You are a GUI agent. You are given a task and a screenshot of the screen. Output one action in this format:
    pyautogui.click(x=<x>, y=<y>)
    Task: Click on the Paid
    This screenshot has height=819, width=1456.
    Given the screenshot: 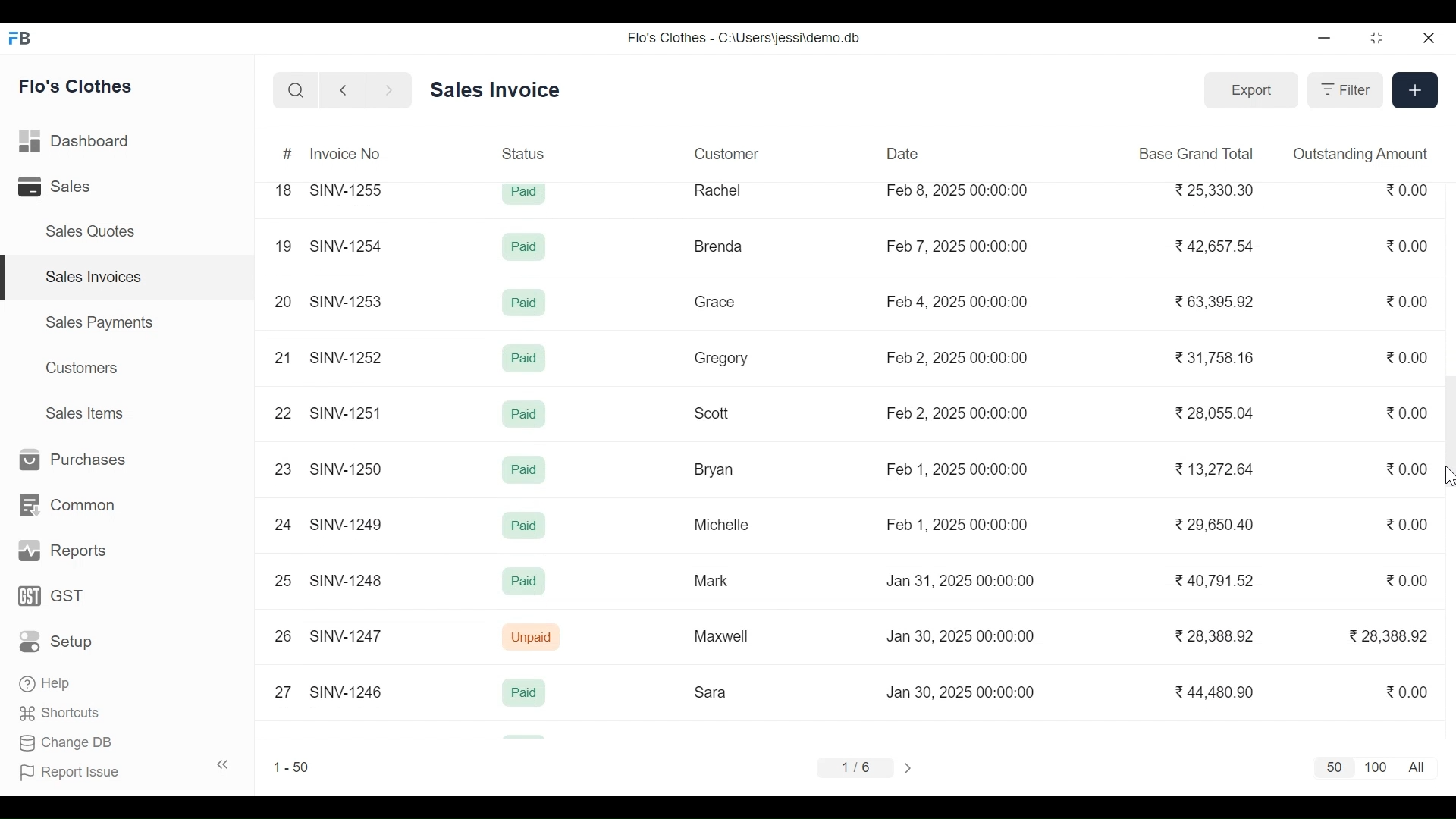 What is the action you would take?
    pyautogui.click(x=524, y=359)
    